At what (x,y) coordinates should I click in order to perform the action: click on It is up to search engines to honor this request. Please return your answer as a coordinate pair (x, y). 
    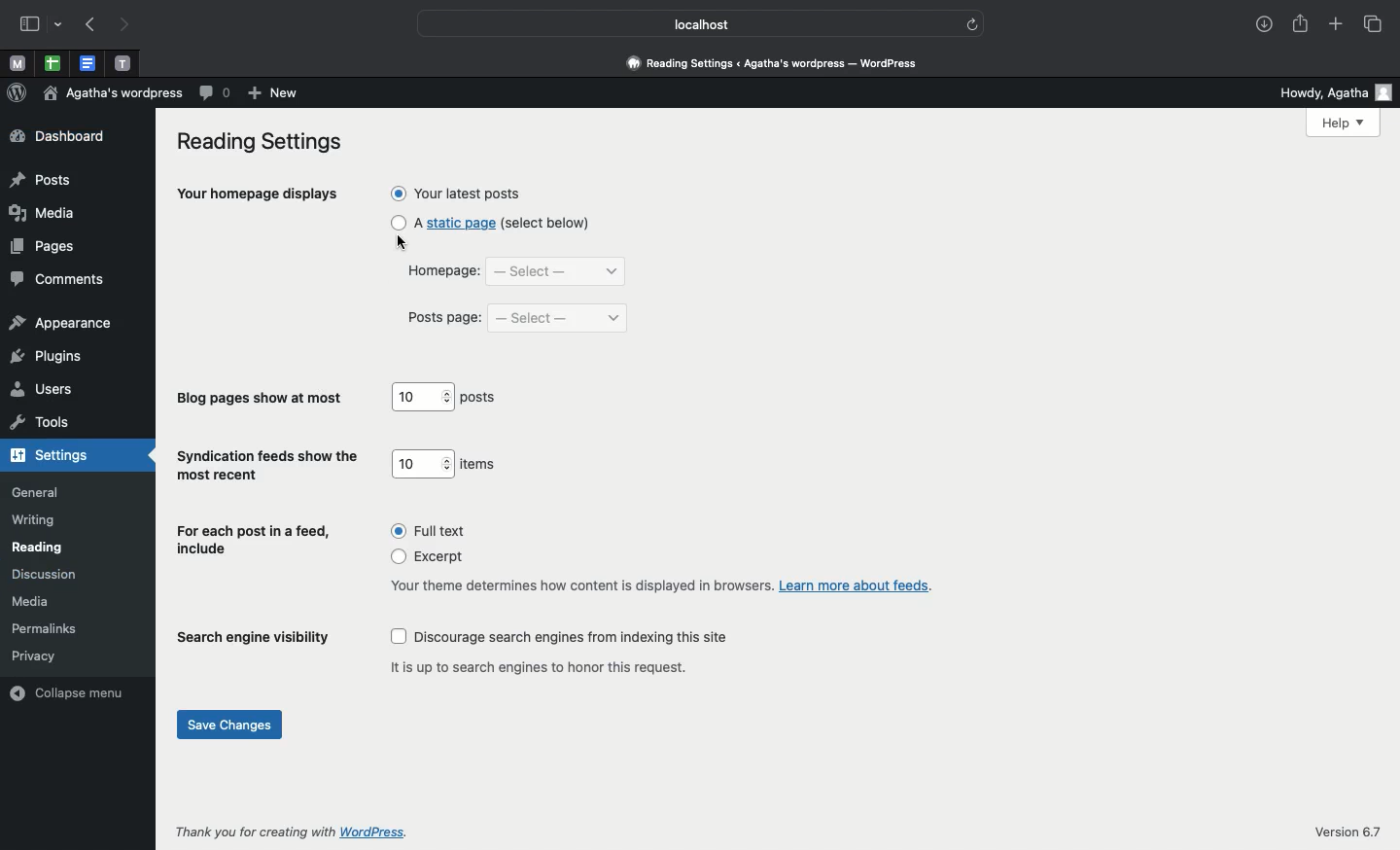
    Looking at the image, I should click on (545, 666).